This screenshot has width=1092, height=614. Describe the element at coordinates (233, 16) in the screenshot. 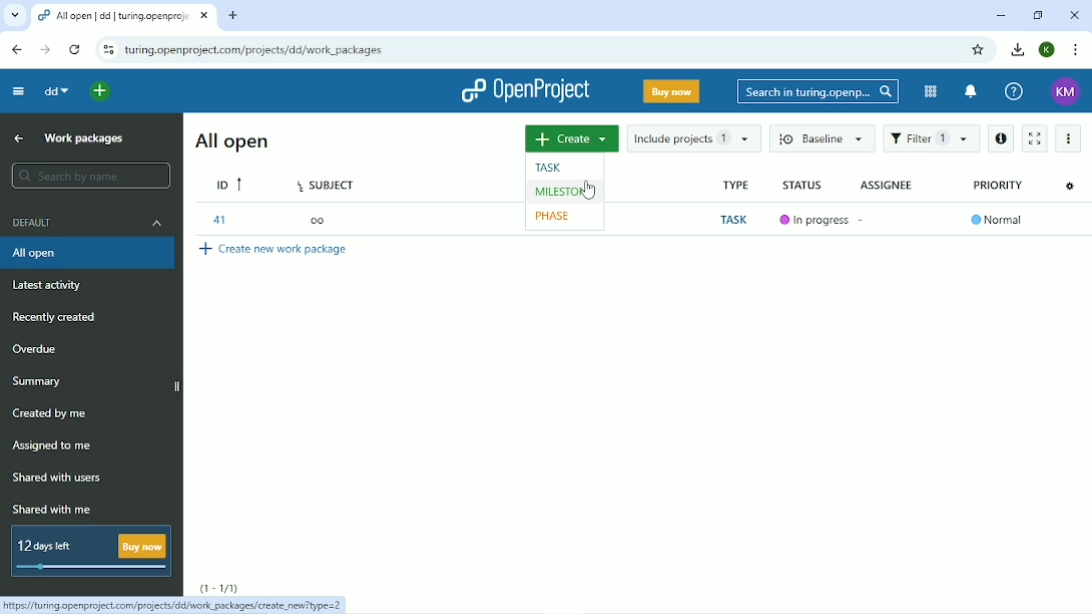

I see `New tab` at that location.